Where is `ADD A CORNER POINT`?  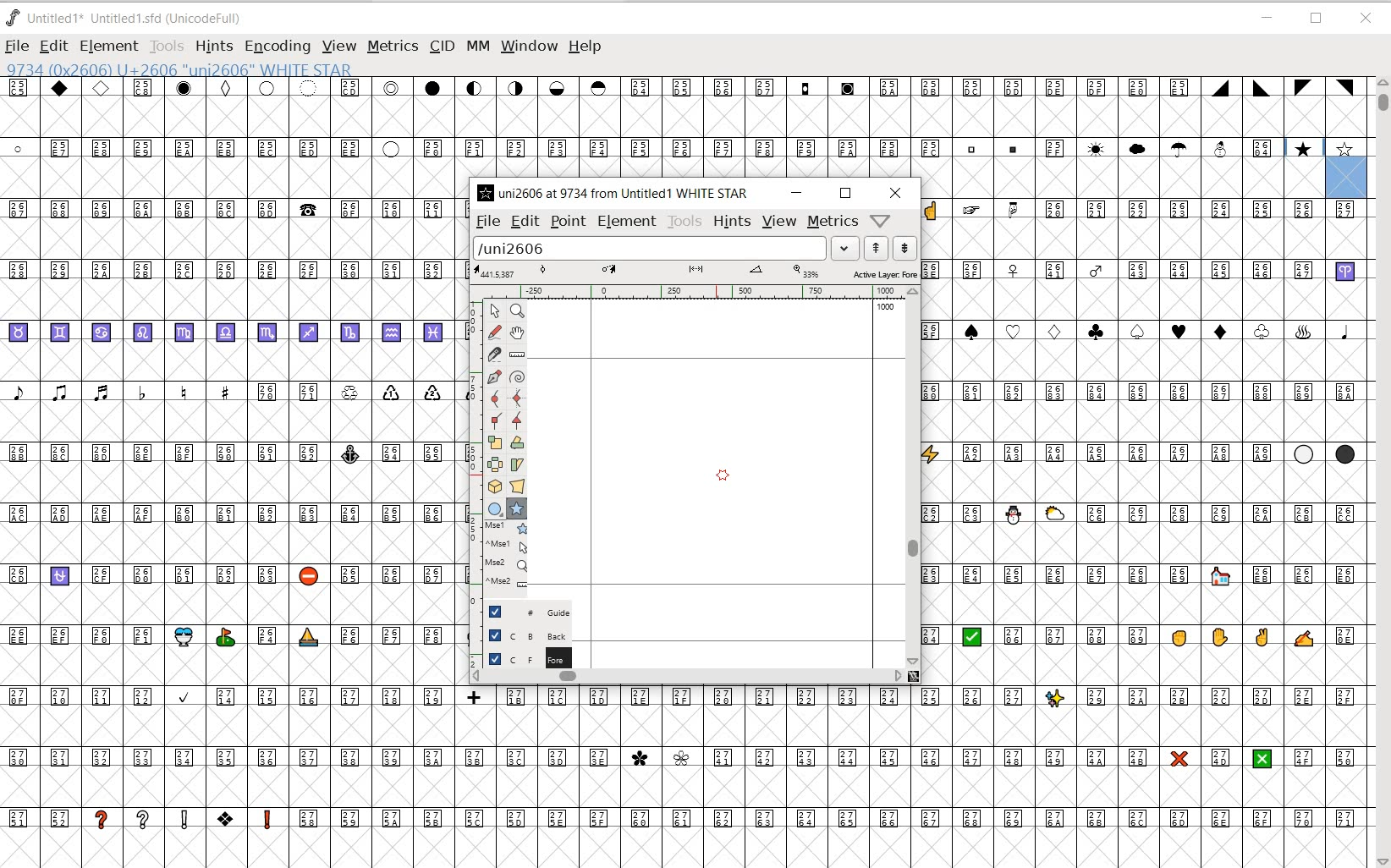
ADD A CORNER POINT is located at coordinates (498, 422).